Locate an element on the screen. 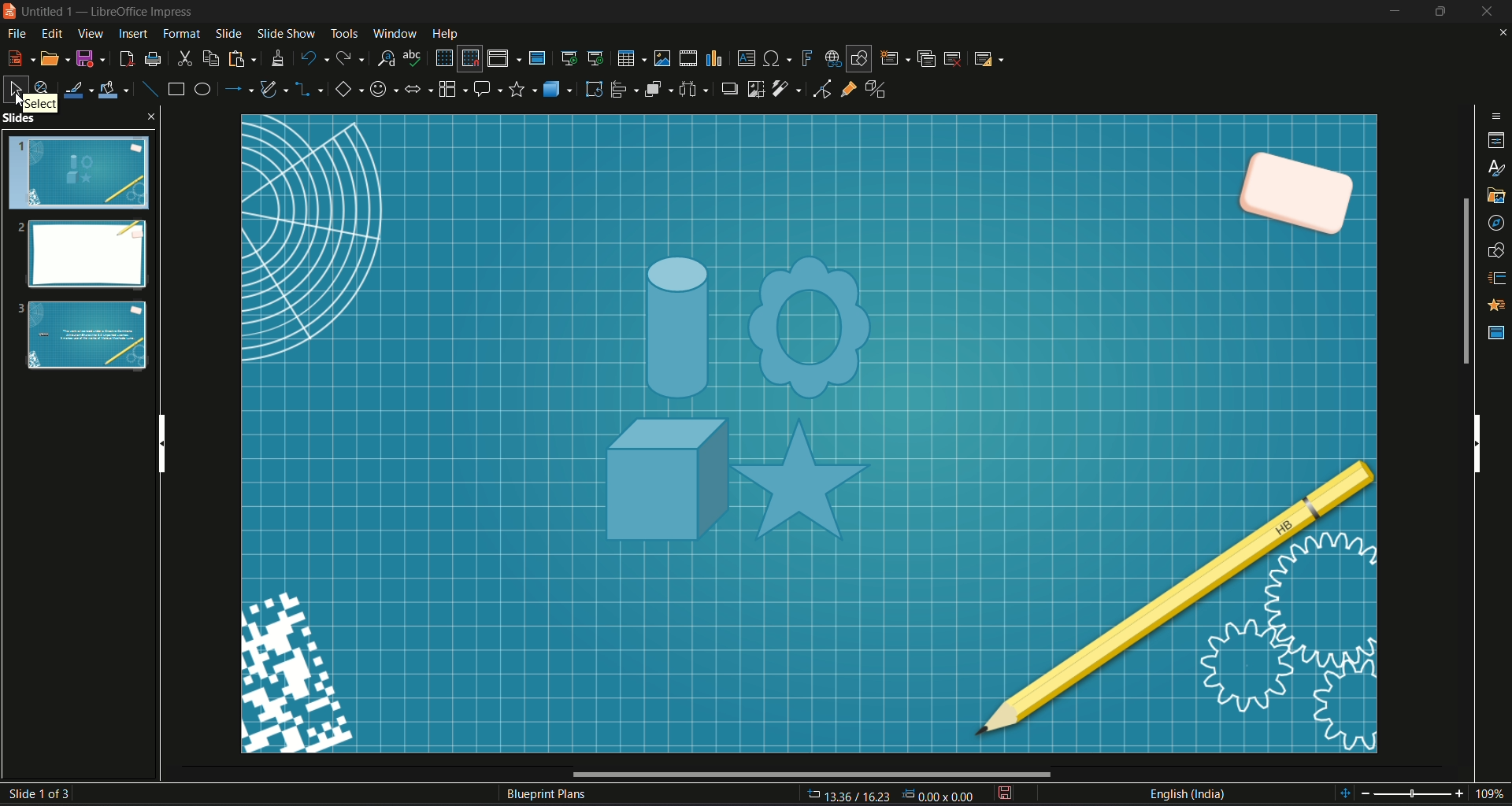  connectors is located at coordinates (309, 91).